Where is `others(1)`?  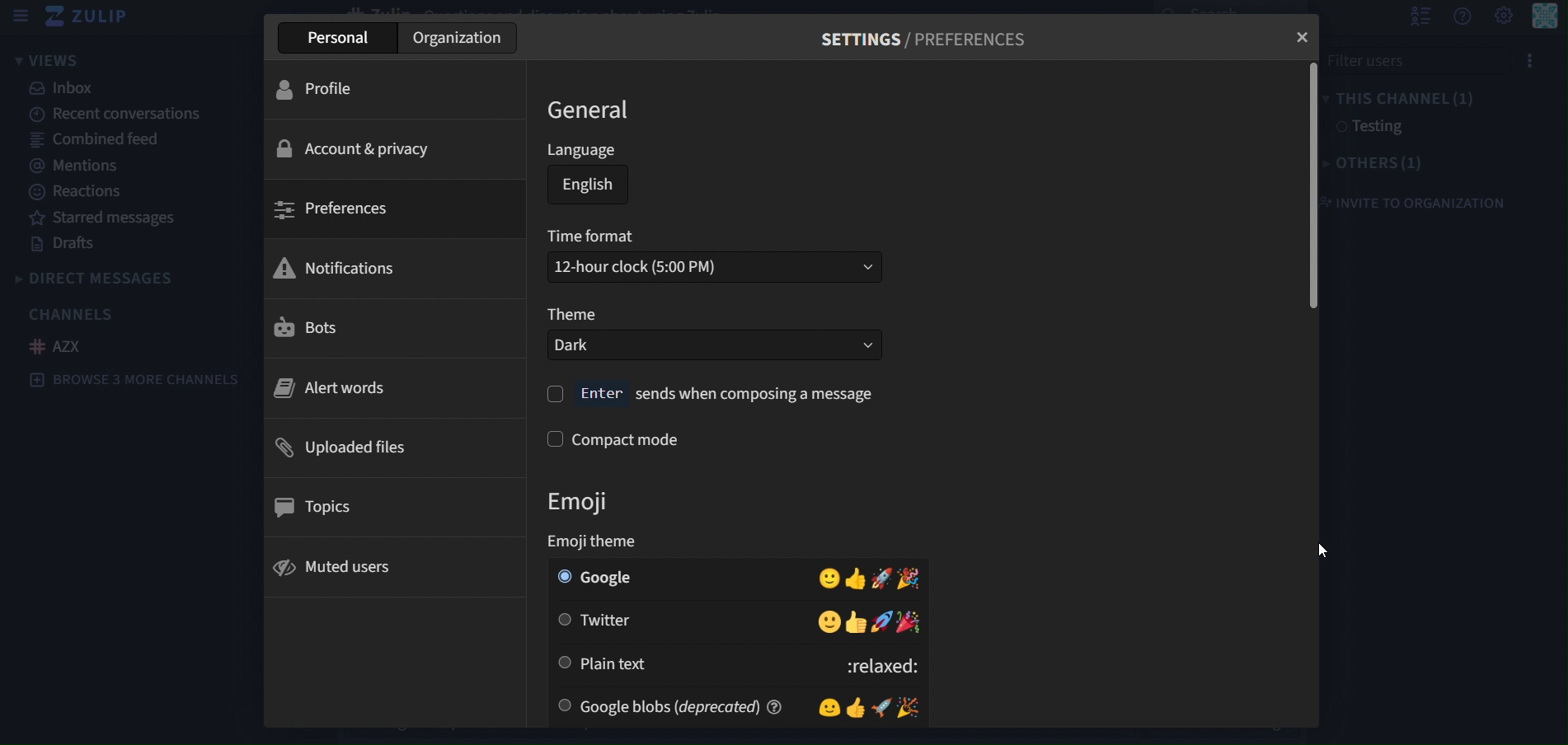
others(1) is located at coordinates (1376, 162).